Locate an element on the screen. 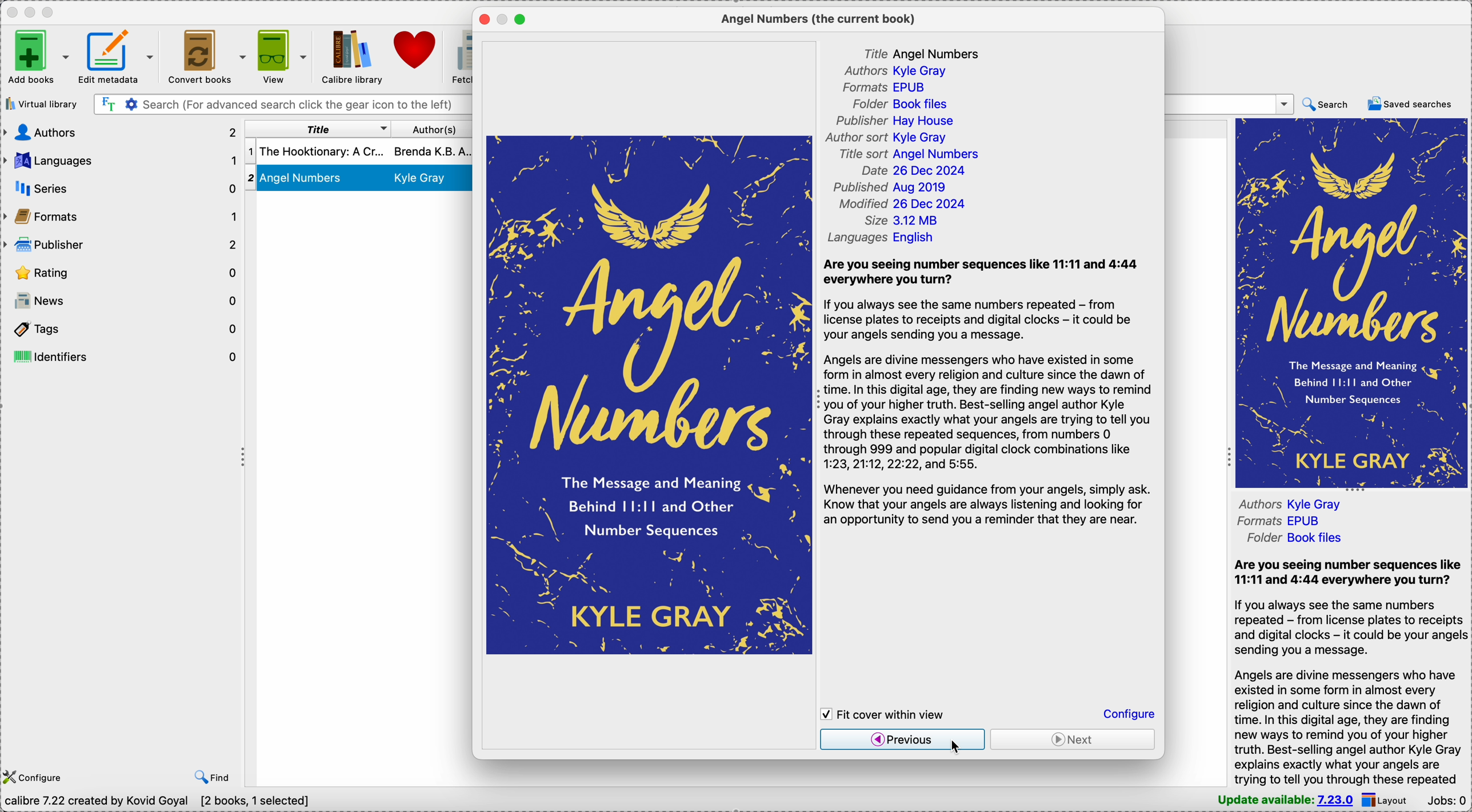  Language is located at coordinates (879, 240).